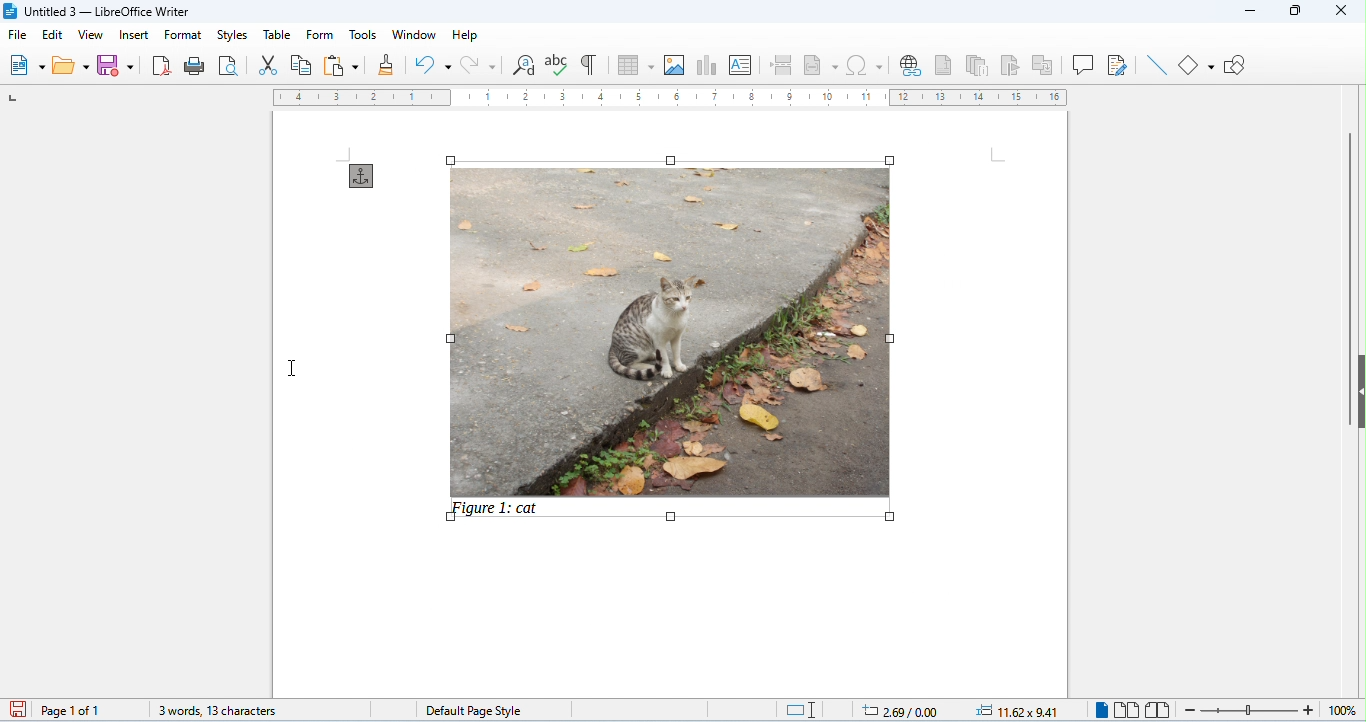  What do you see at coordinates (1084, 64) in the screenshot?
I see `insert comment` at bounding box center [1084, 64].